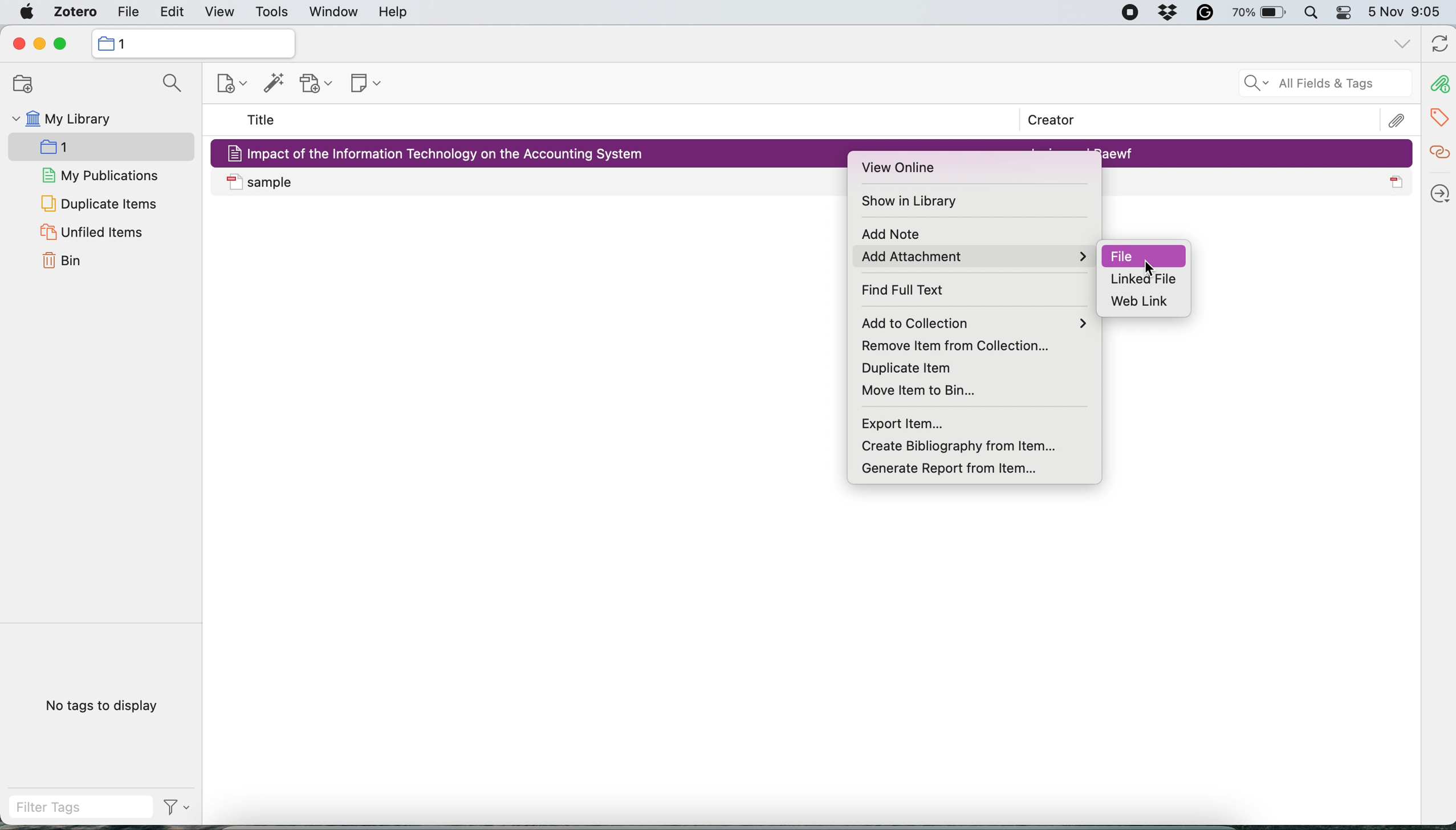  What do you see at coordinates (39, 44) in the screenshot?
I see `minimise` at bounding box center [39, 44].